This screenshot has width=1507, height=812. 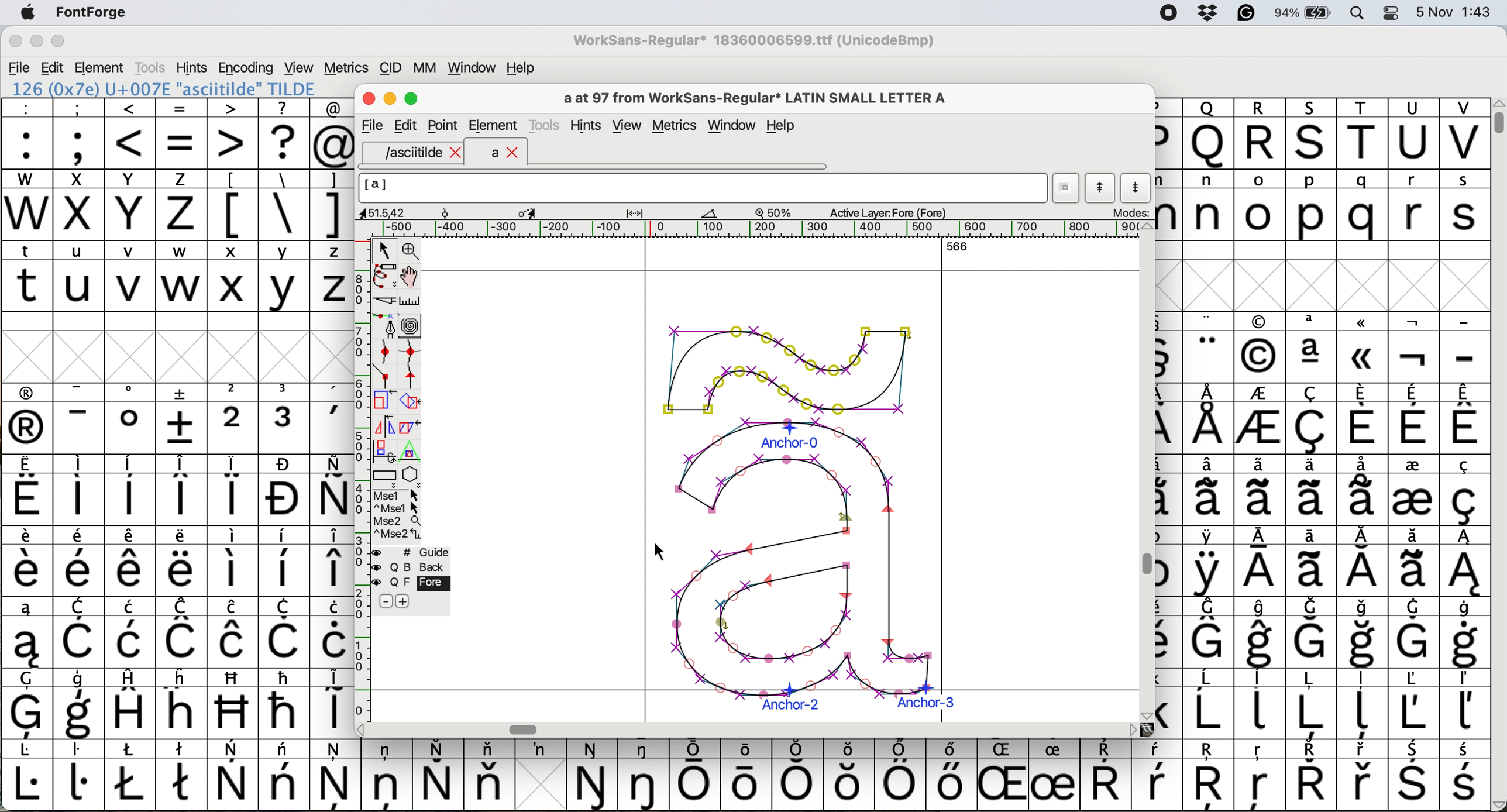 What do you see at coordinates (232, 276) in the screenshot?
I see `x` at bounding box center [232, 276].